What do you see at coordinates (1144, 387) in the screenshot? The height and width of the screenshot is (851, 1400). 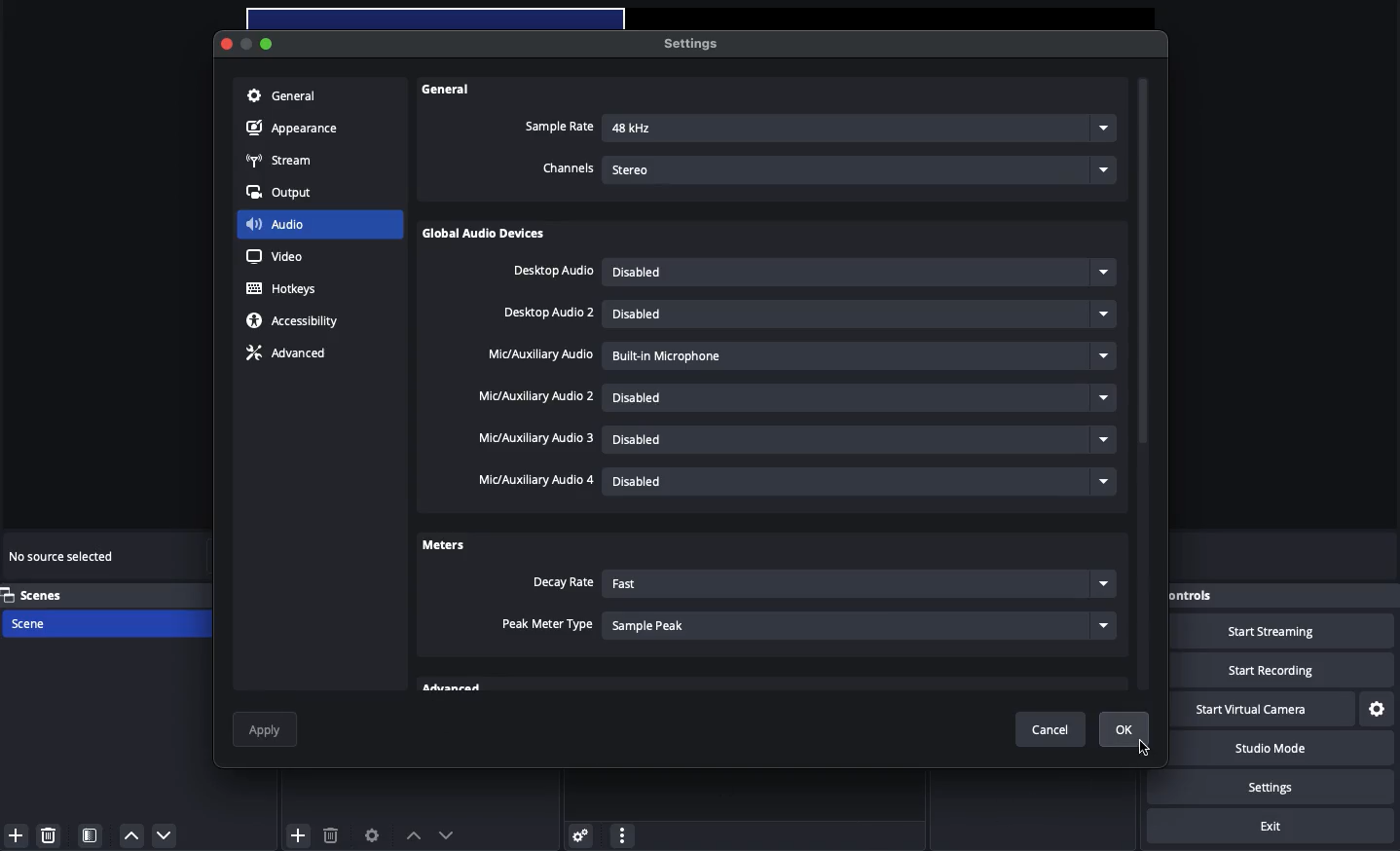 I see `Scroll` at bounding box center [1144, 387].